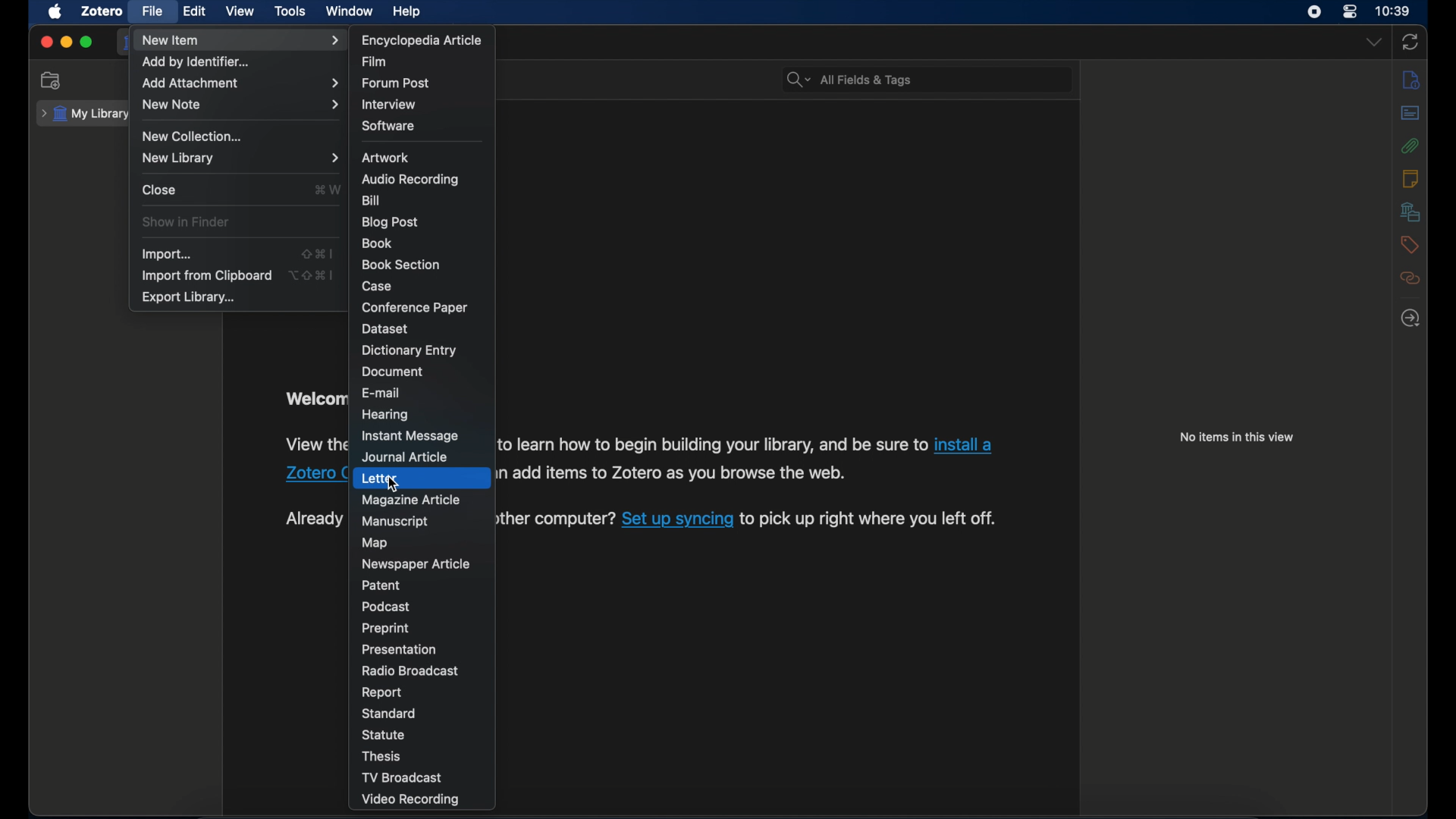 The width and height of the screenshot is (1456, 819). I want to click on dropdown, so click(1374, 42).